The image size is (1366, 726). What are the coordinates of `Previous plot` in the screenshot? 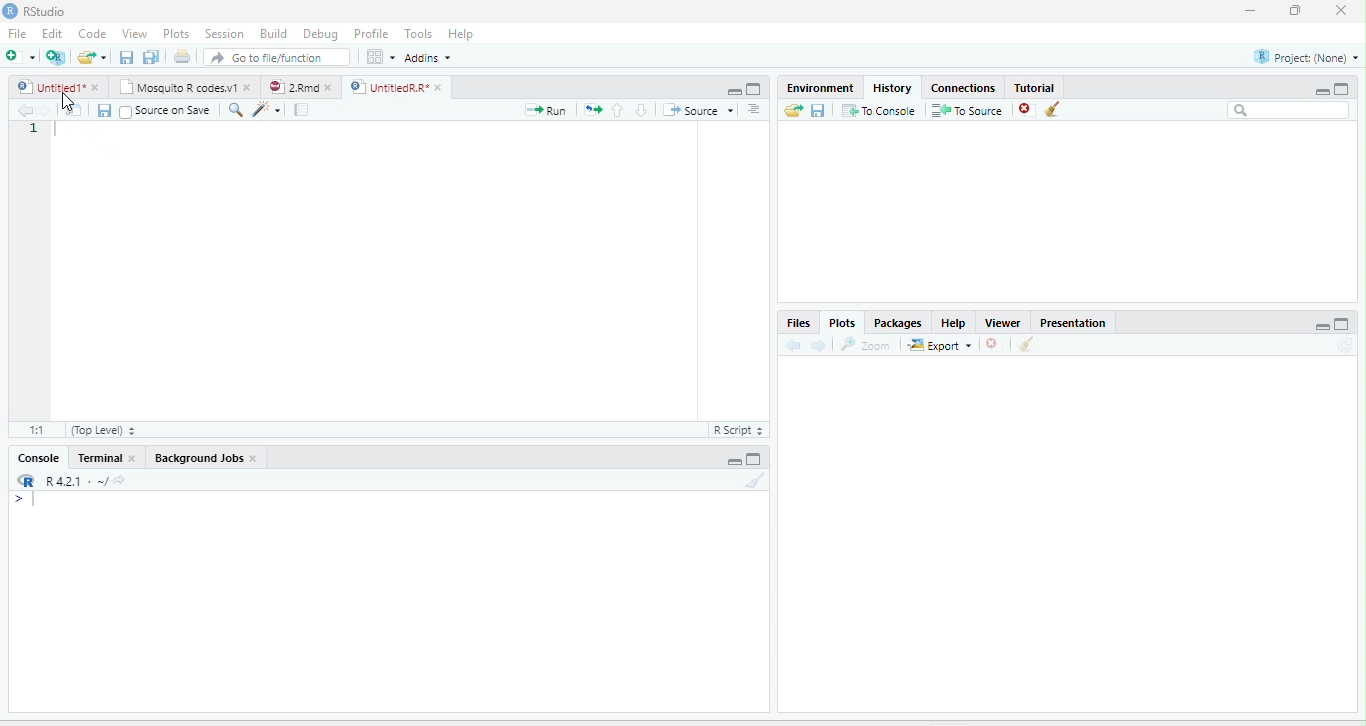 It's located at (793, 344).